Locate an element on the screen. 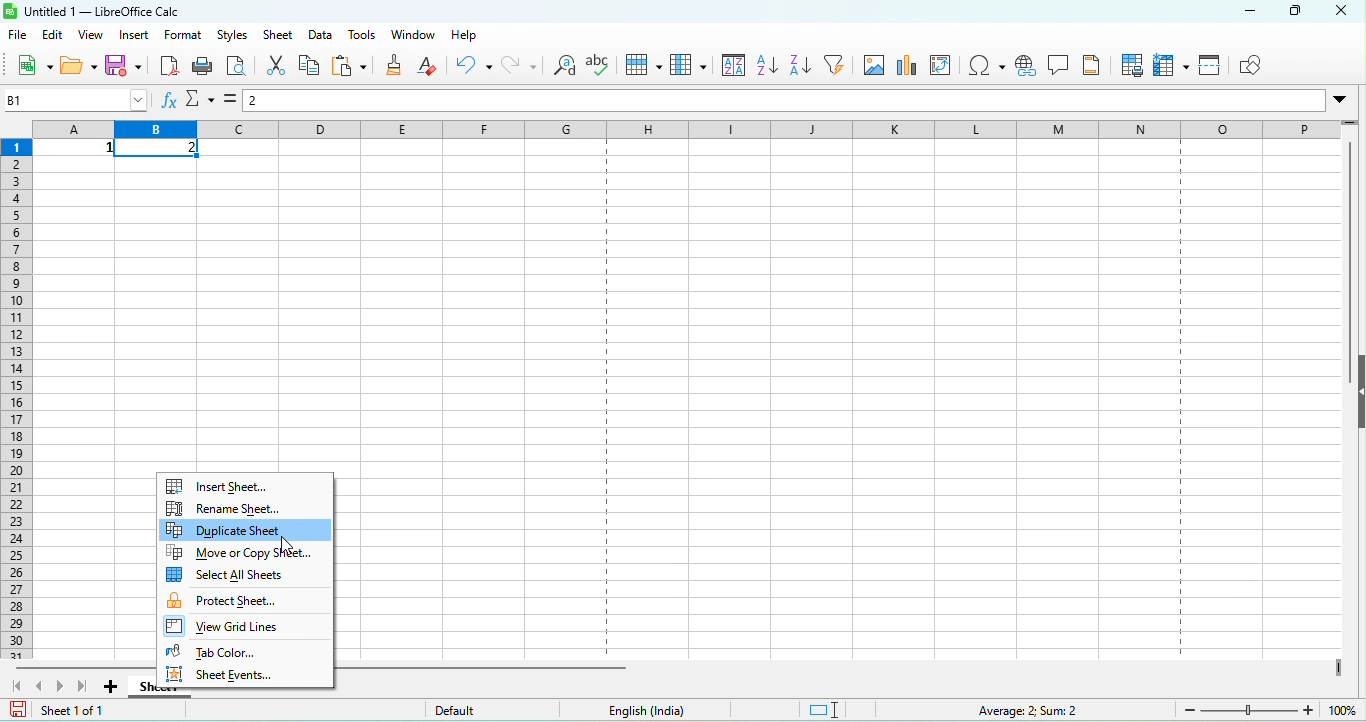 The width and height of the screenshot is (1366, 722). save is located at coordinates (123, 66).